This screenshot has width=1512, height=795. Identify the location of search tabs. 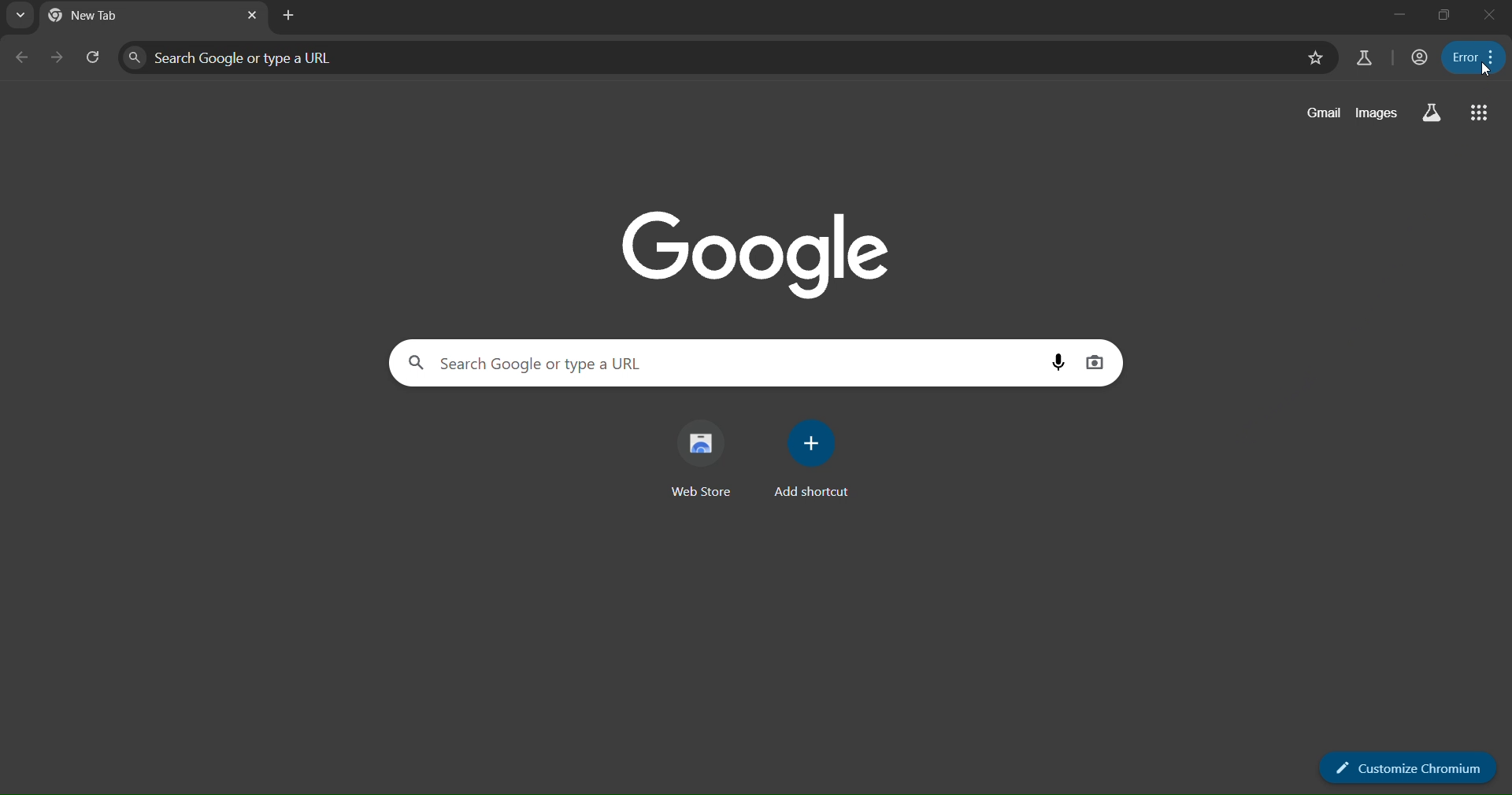
(24, 17).